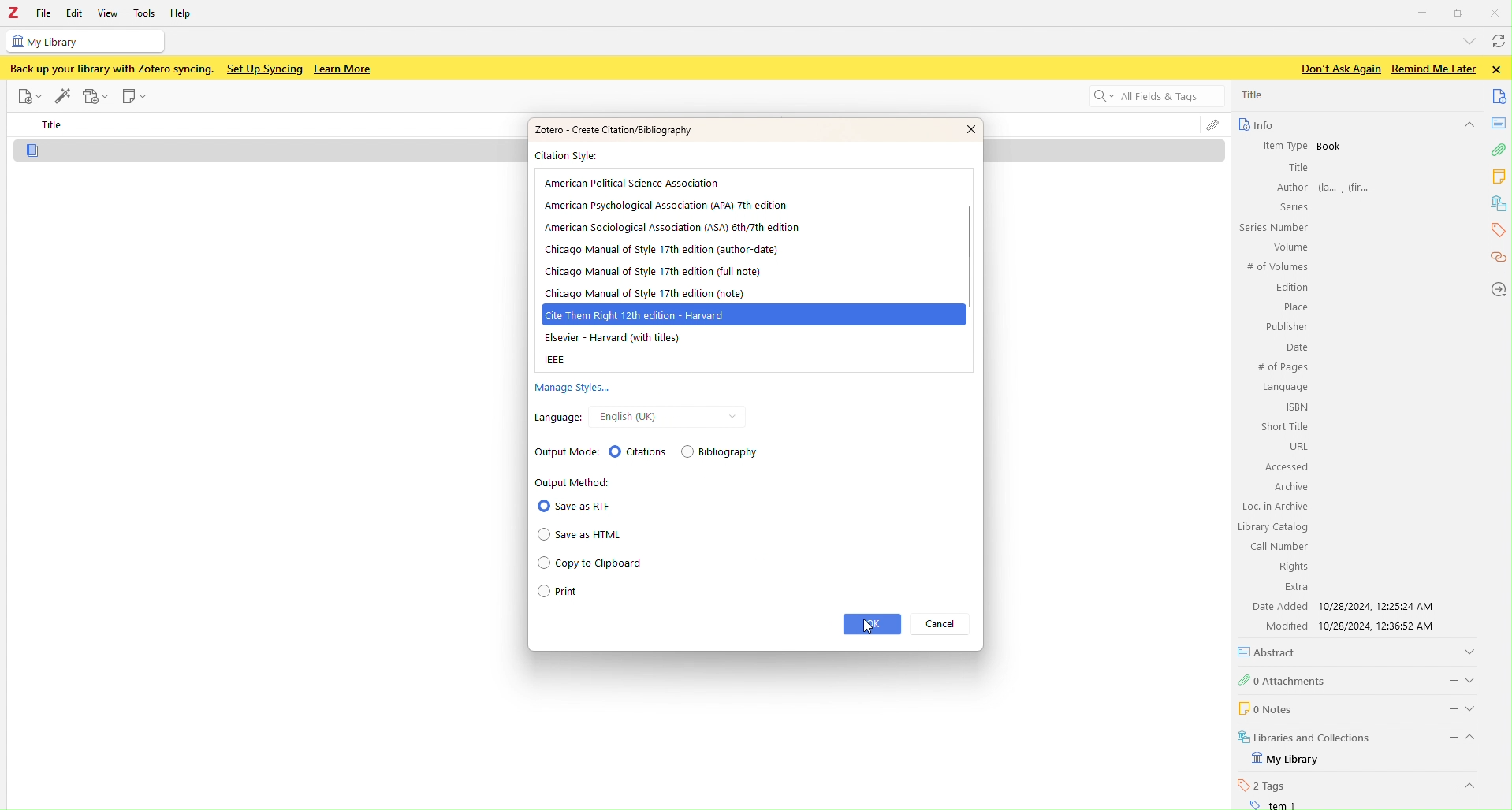 Image resolution: width=1512 pixels, height=810 pixels. Describe the element at coordinates (185, 15) in the screenshot. I see `Help` at that location.